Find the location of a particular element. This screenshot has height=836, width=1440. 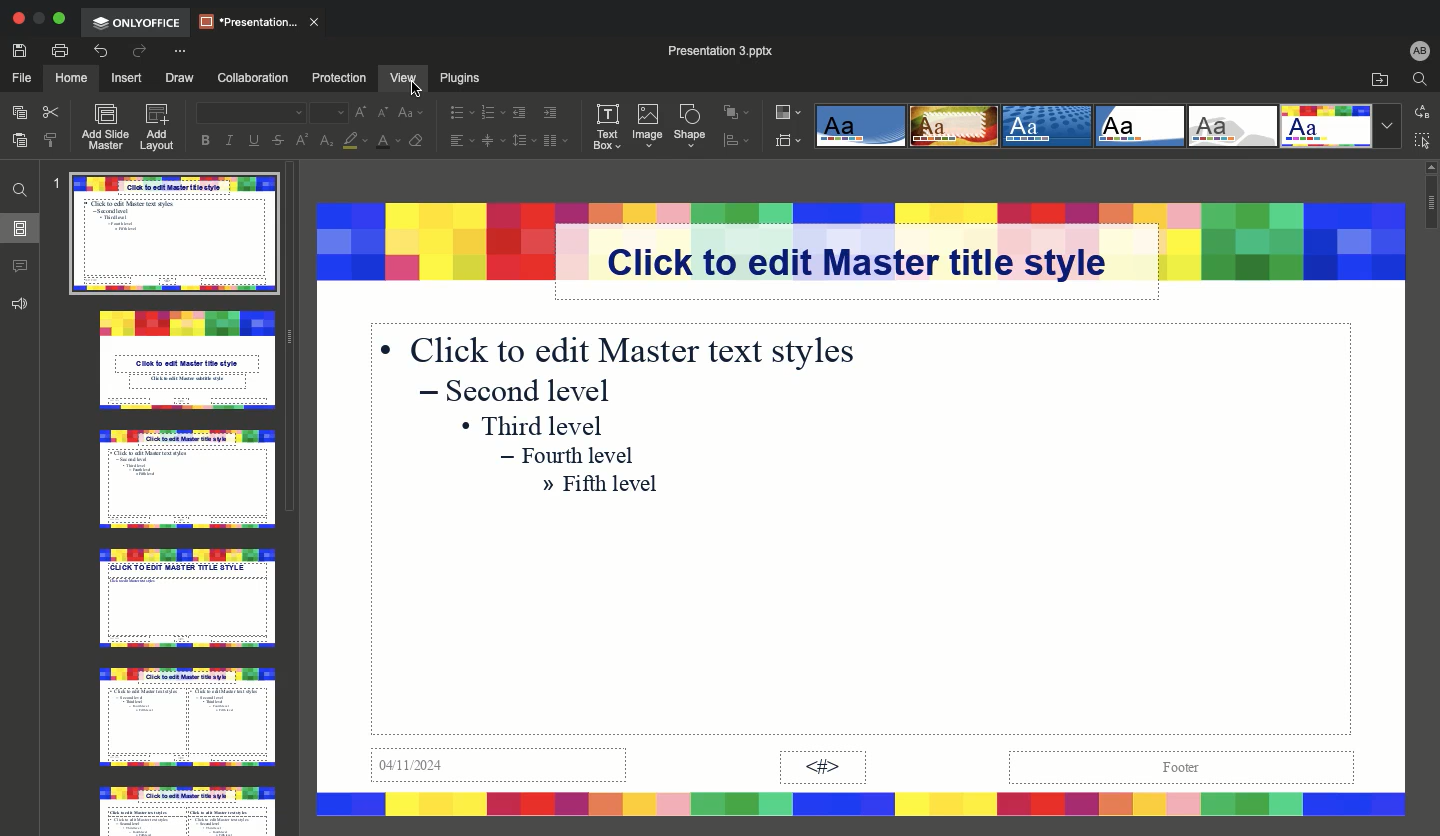

«+ Fifth level is located at coordinates (604, 487).